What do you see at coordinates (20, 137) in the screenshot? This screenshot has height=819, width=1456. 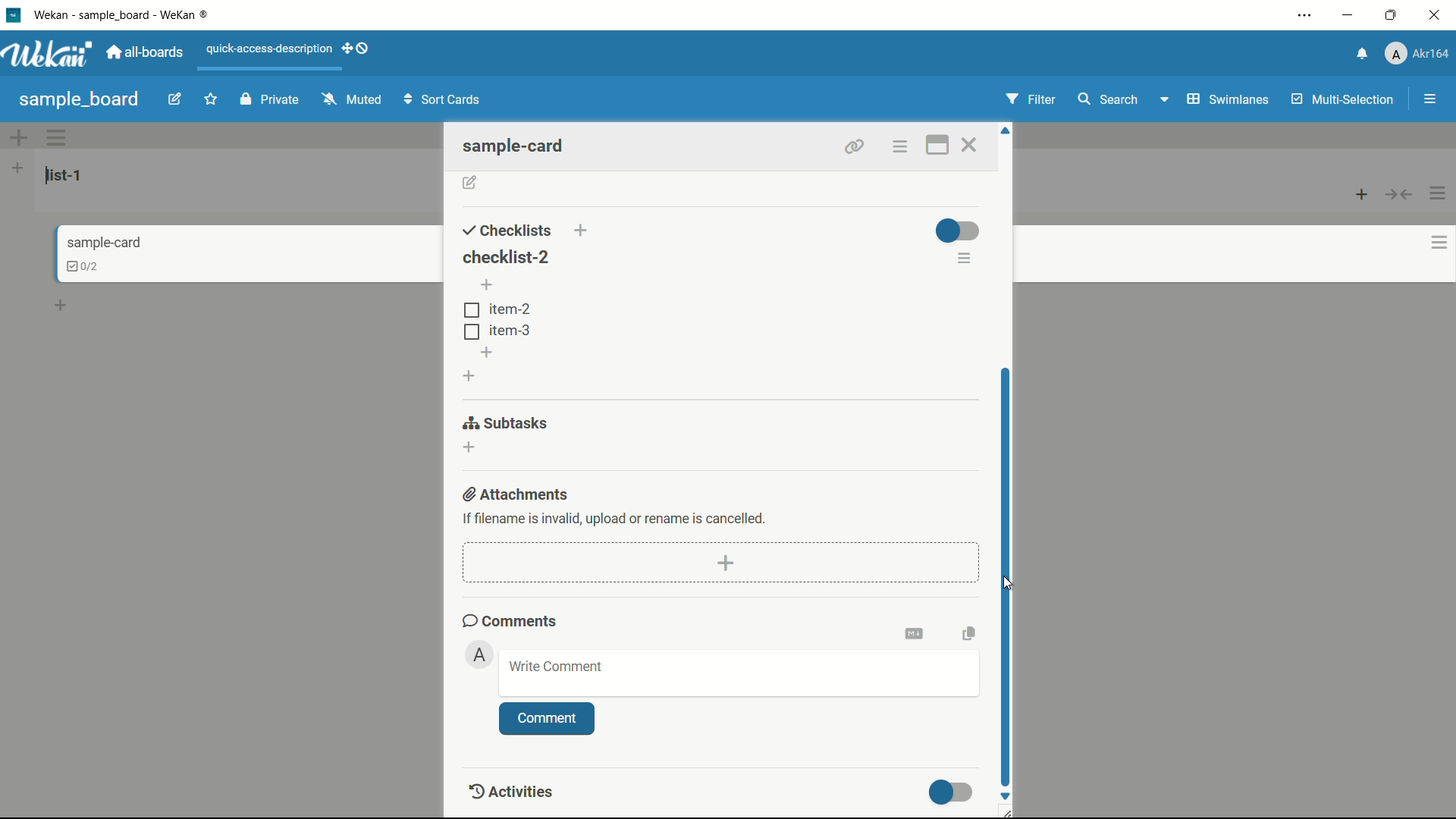 I see `add swimlane` at bounding box center [20, 137].